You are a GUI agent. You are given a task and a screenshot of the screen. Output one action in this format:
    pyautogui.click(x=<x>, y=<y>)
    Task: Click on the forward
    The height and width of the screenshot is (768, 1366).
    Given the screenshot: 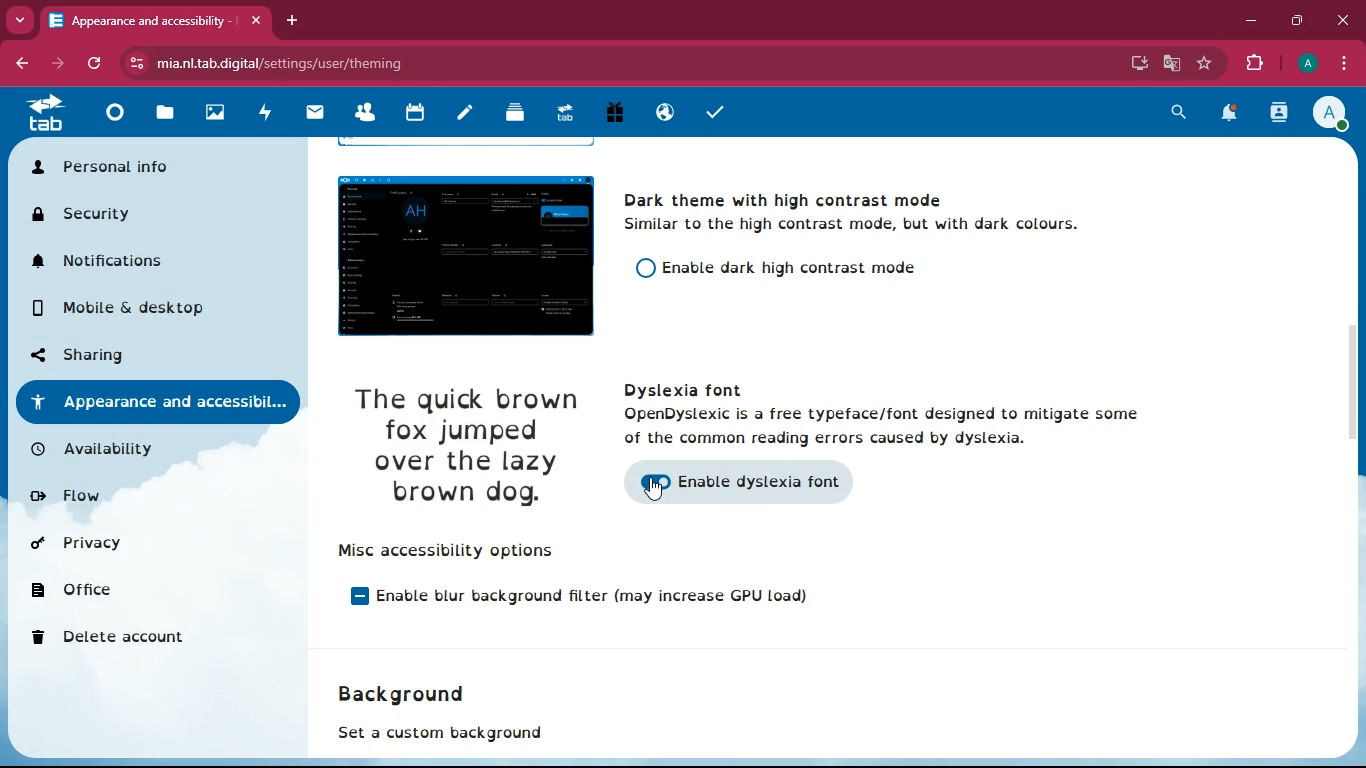 What is the action you would take?
    pyautogui.click(x=60, y=63)
    